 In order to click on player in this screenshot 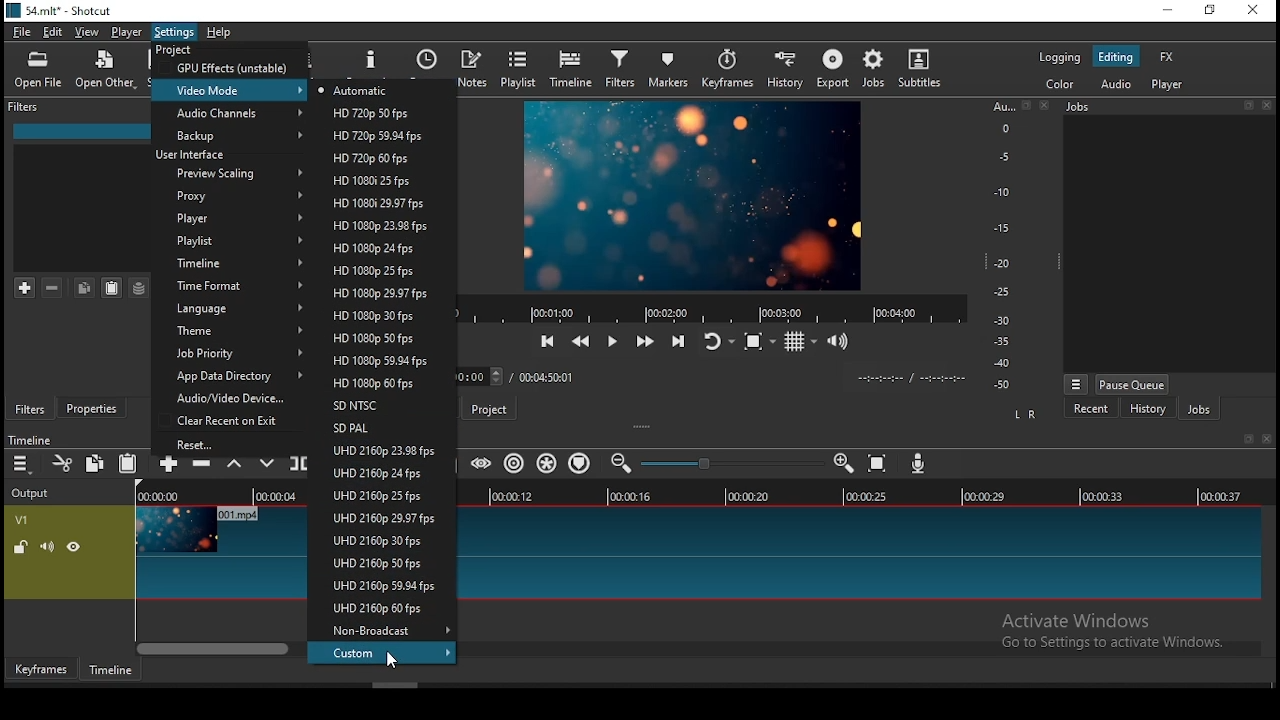, I will do `click(228, 220)`.